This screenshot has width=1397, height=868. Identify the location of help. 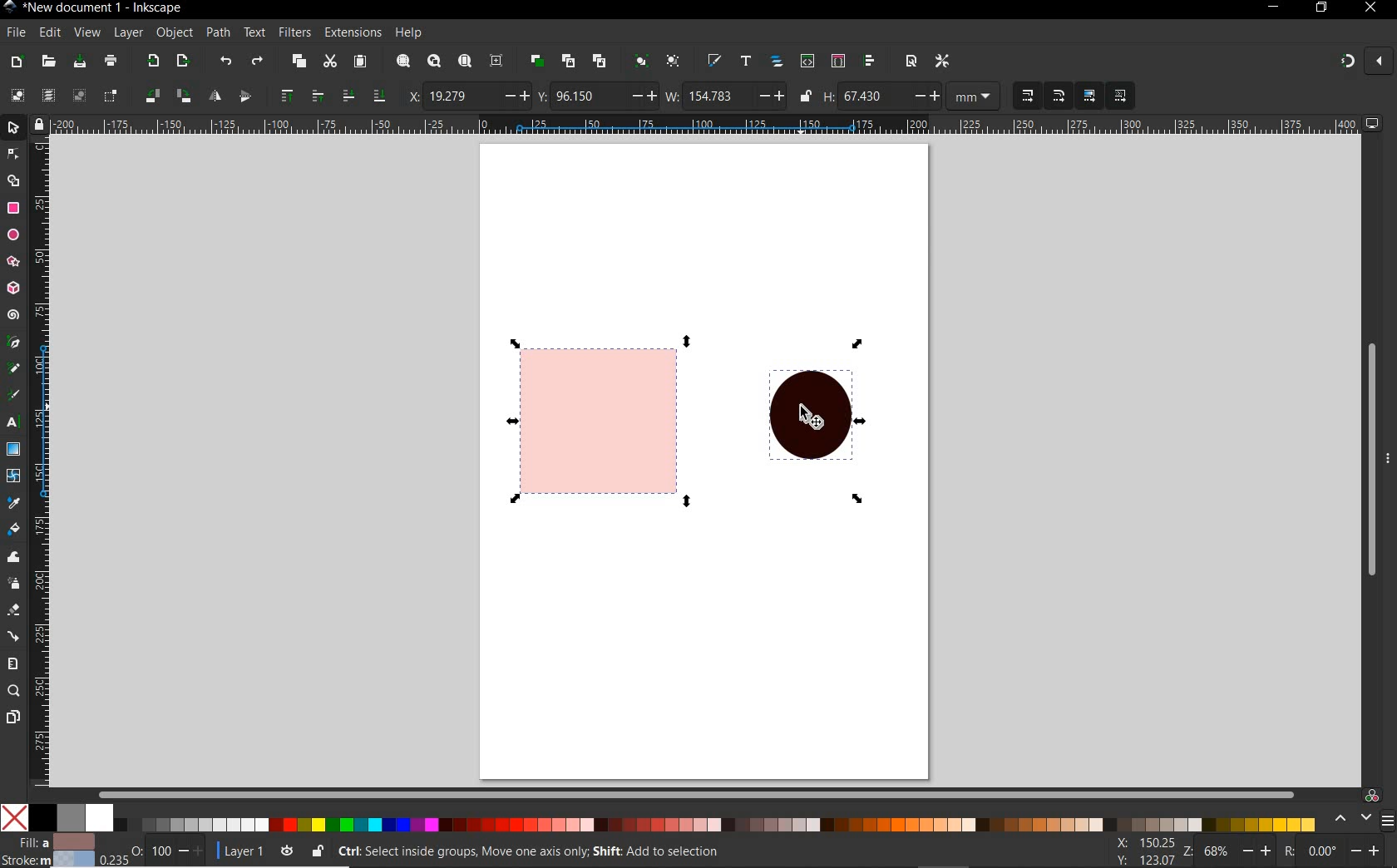
(409, 33).